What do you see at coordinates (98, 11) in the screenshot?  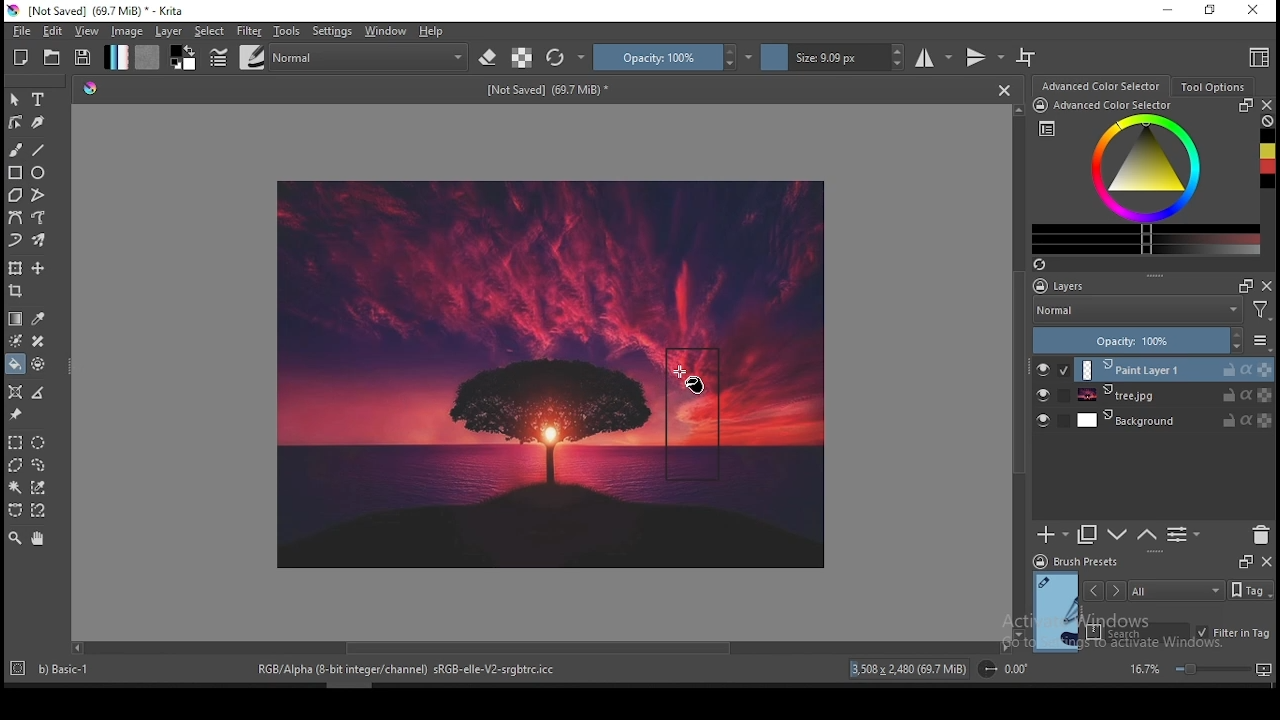 I see `icon and file name` at bounding box center [98, 11].